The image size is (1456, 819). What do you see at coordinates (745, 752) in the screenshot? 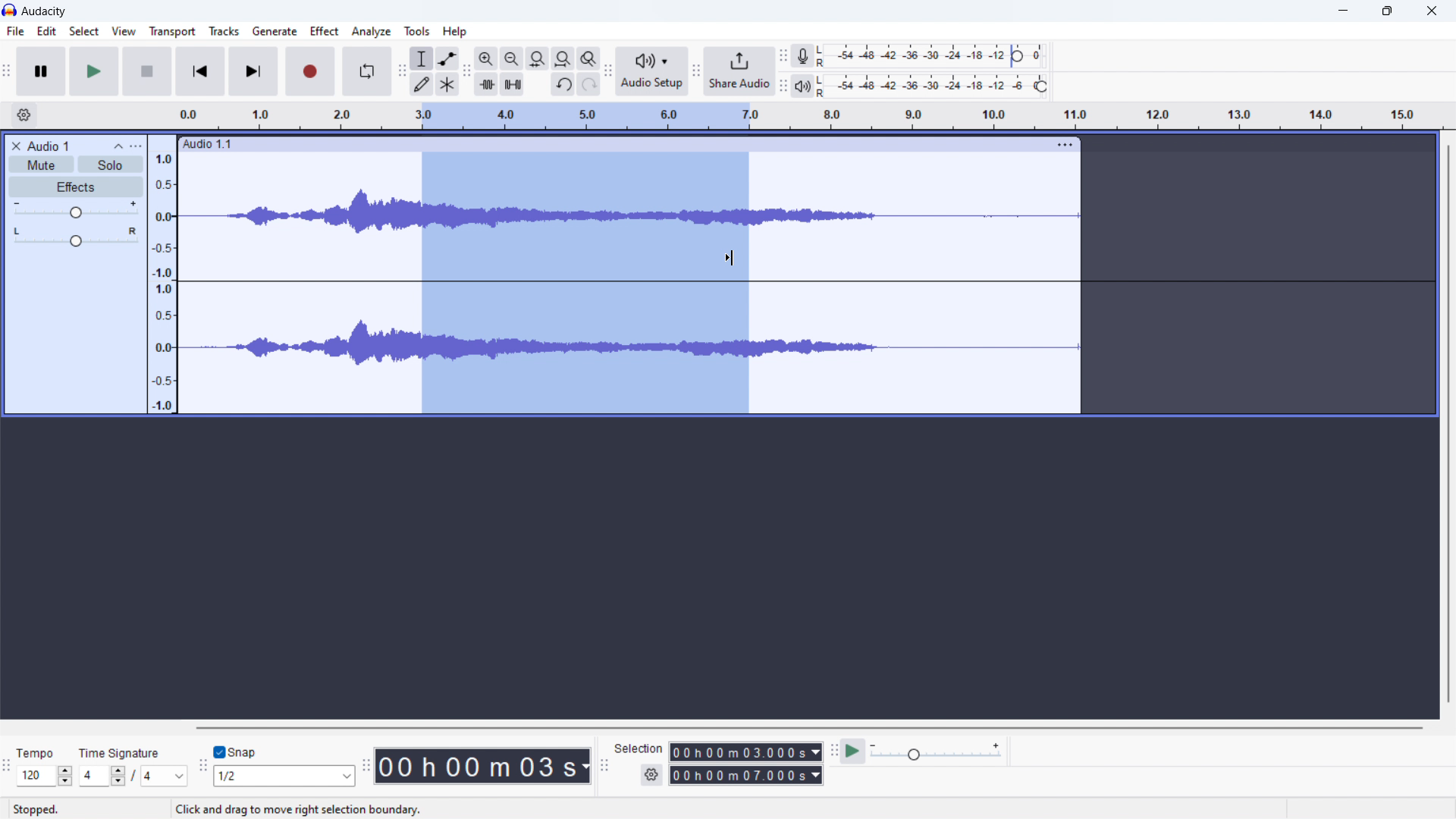
I see `00 h 00 m 03.000s` at bounding box center [745, 752].